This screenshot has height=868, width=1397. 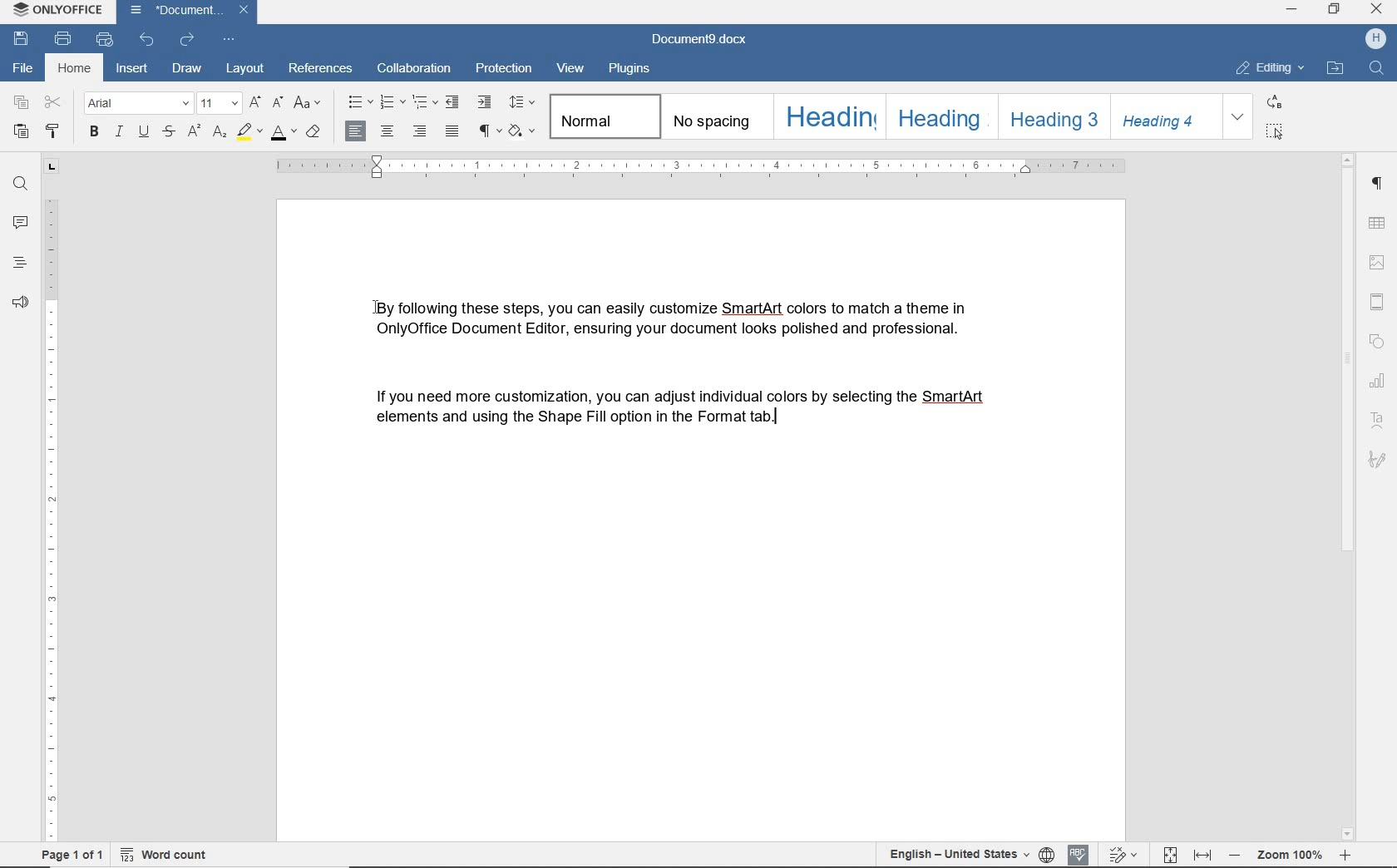 What do you see at coordinates (144, 132) in the screenshot?
I see `underline` at bounding box center [144, 132].